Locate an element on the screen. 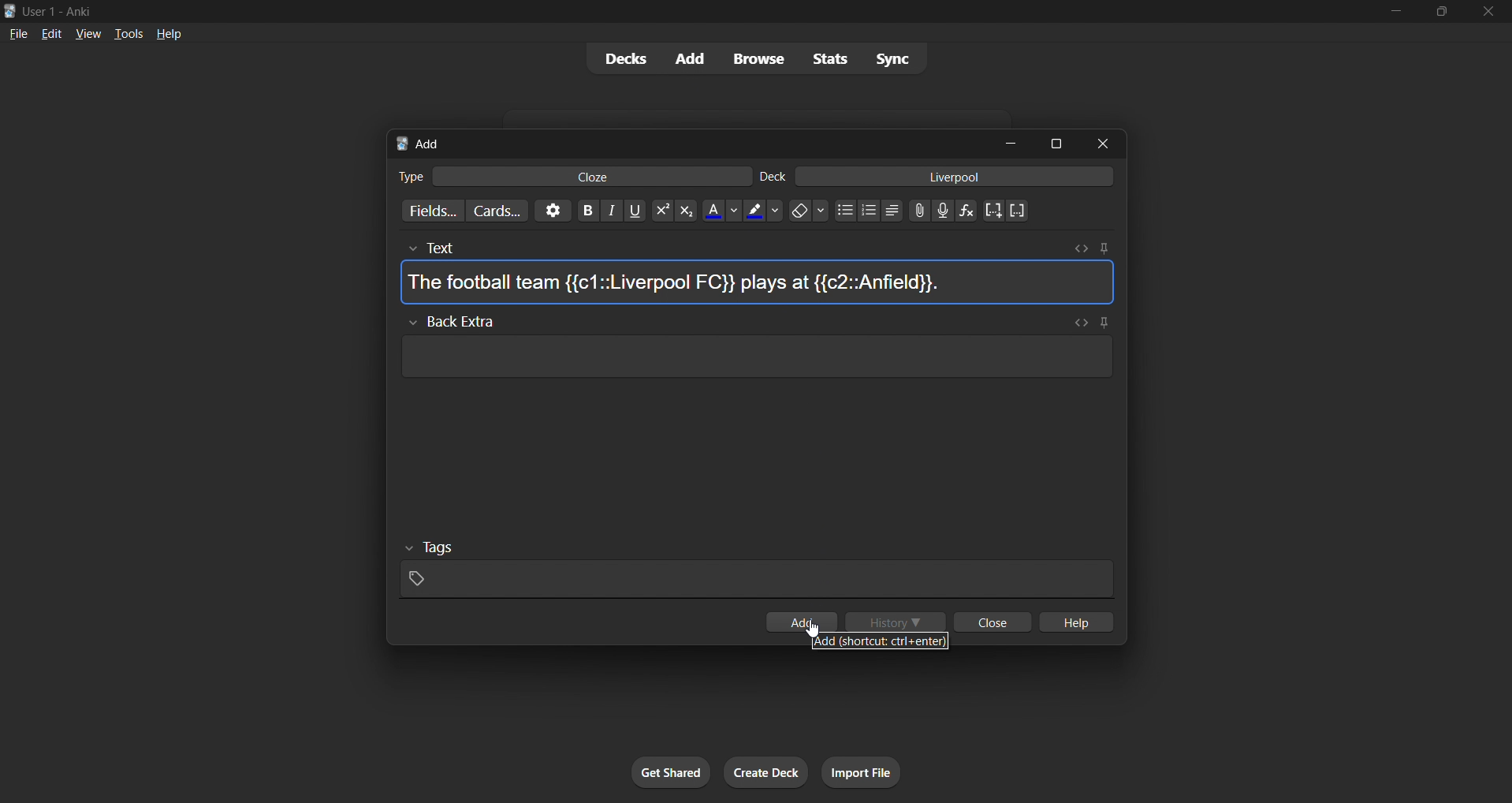 The image size is (1512, 803). toggle sticky is located at coordinates (1103, 247).